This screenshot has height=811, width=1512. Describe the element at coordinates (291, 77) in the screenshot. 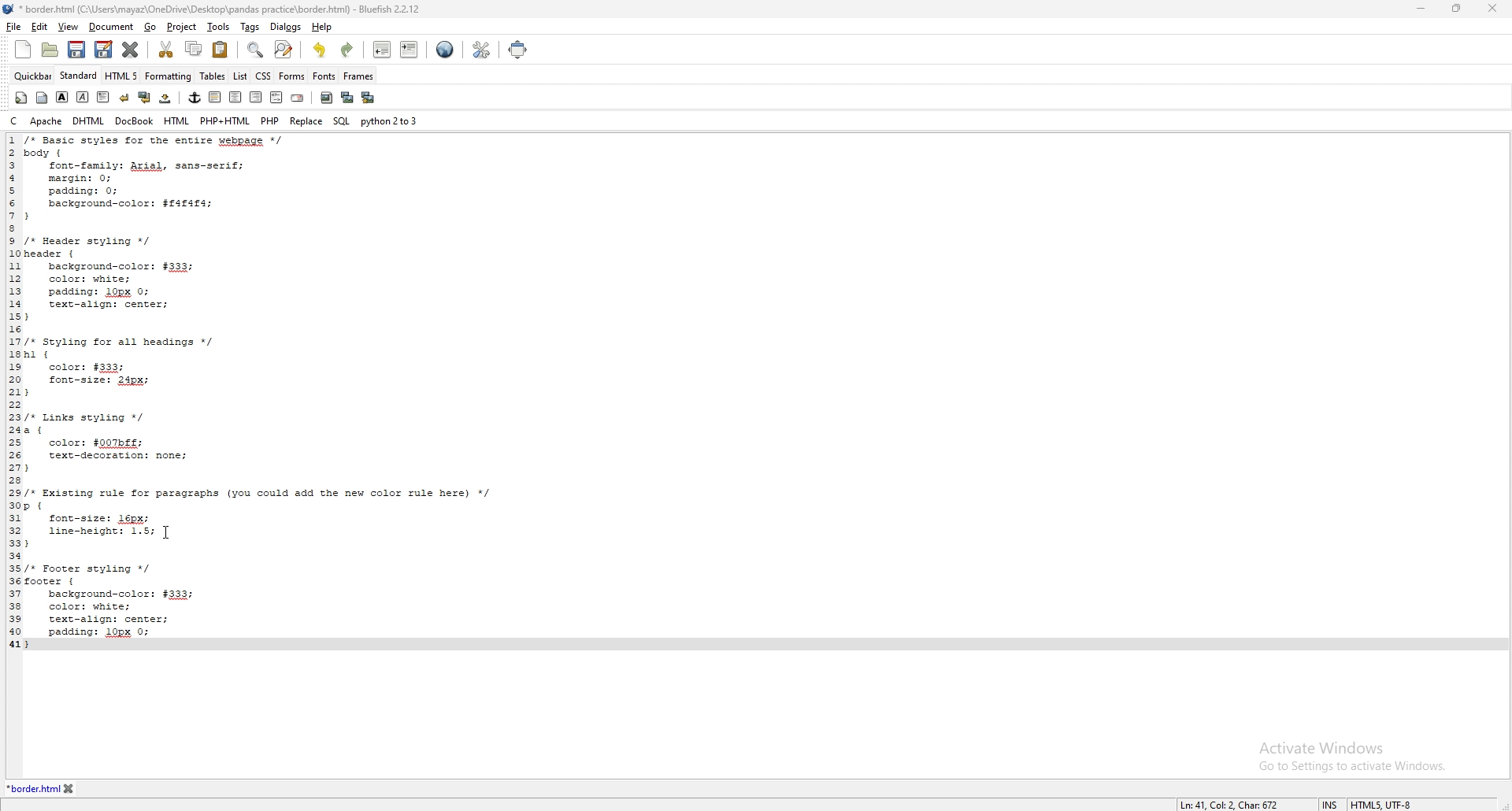

I see `forms` at that location.